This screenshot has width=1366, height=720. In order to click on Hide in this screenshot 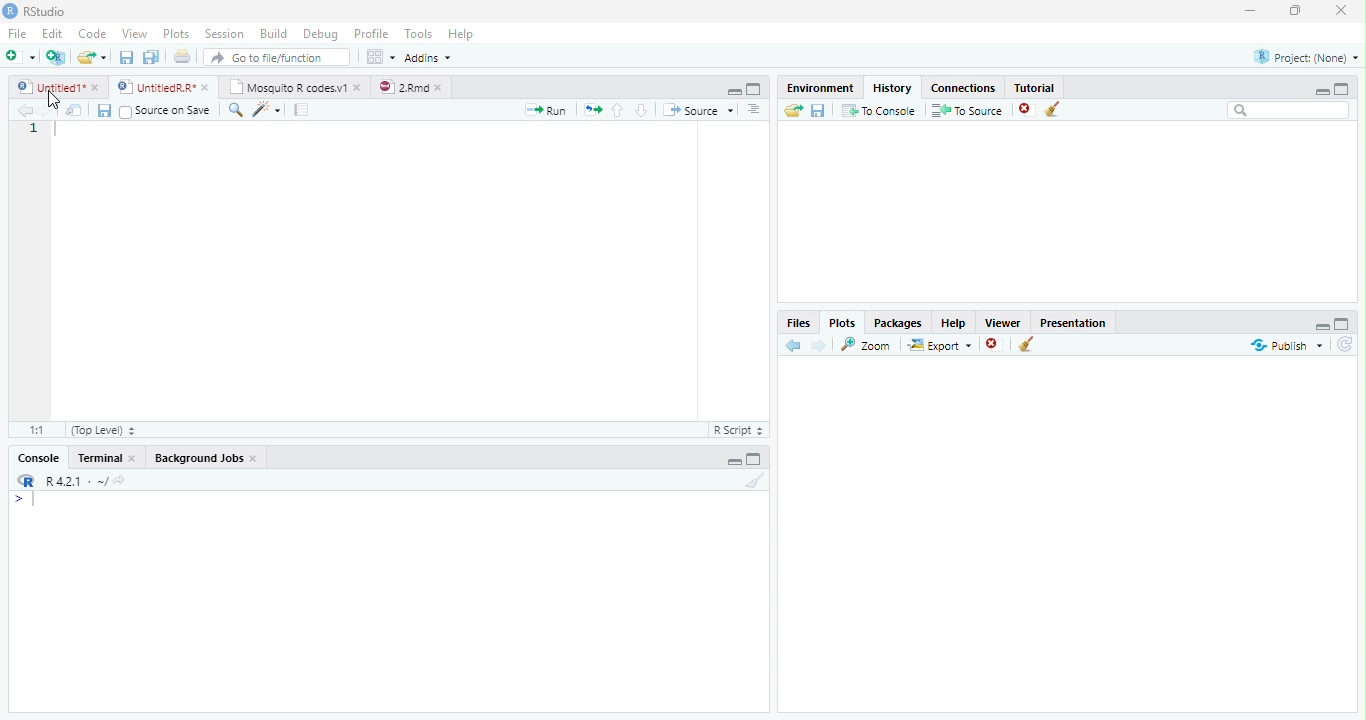, I will do `click(732, 91)`.